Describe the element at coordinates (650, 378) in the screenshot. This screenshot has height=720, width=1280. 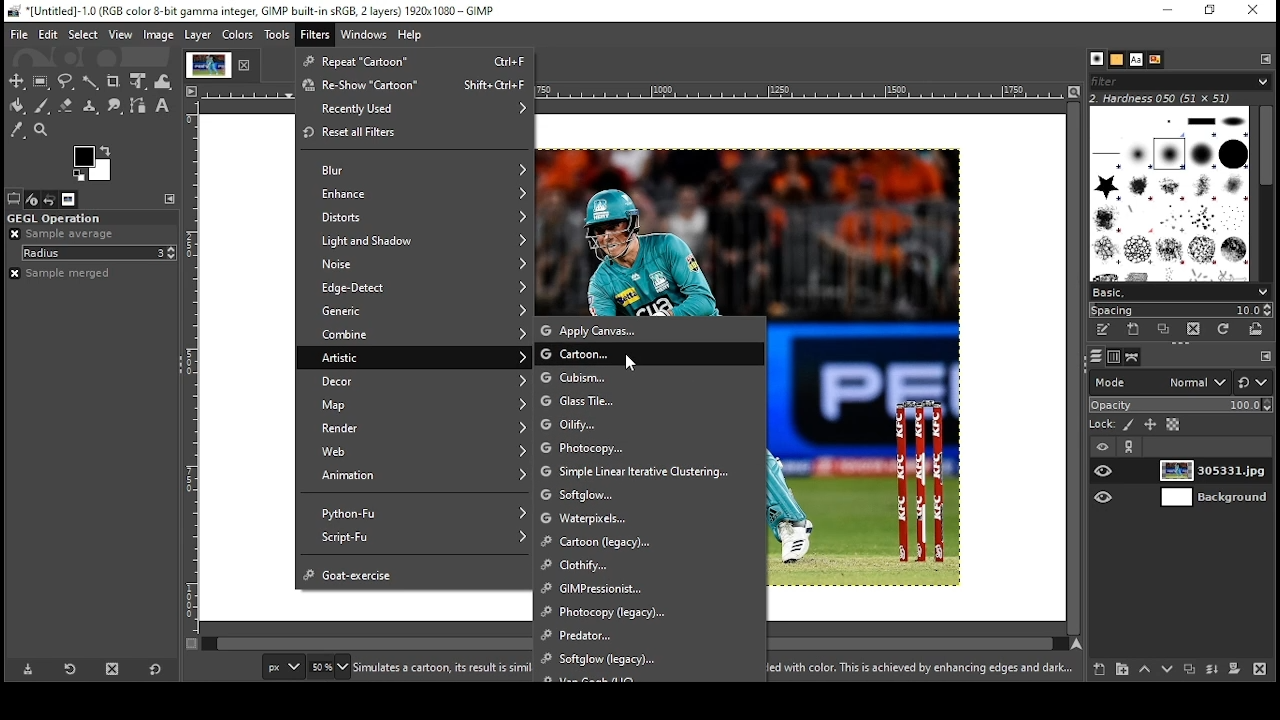
I see `custom` at that location.